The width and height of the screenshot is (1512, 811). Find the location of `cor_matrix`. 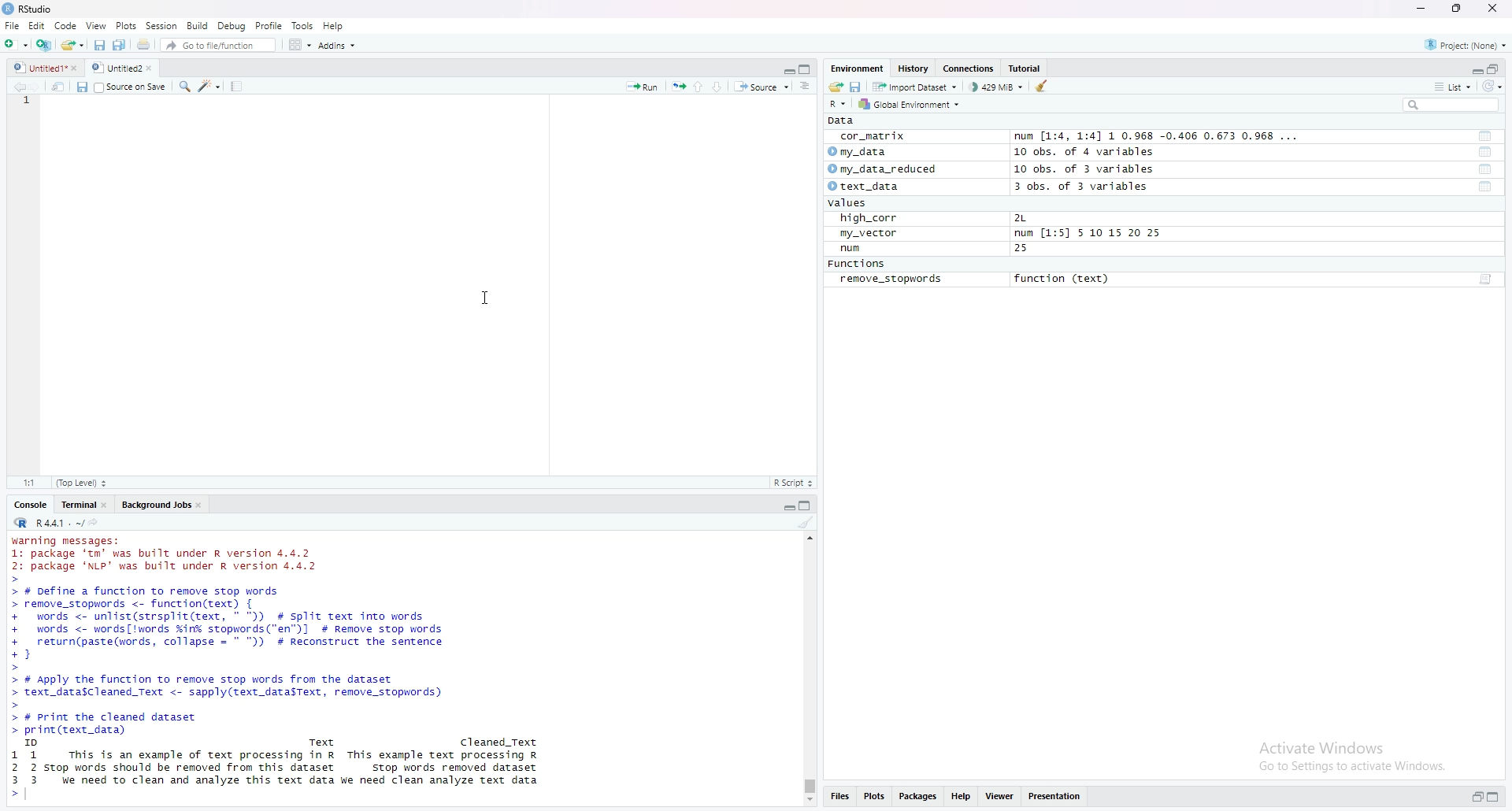

cor_matrix is located at coordinates (874, 137).